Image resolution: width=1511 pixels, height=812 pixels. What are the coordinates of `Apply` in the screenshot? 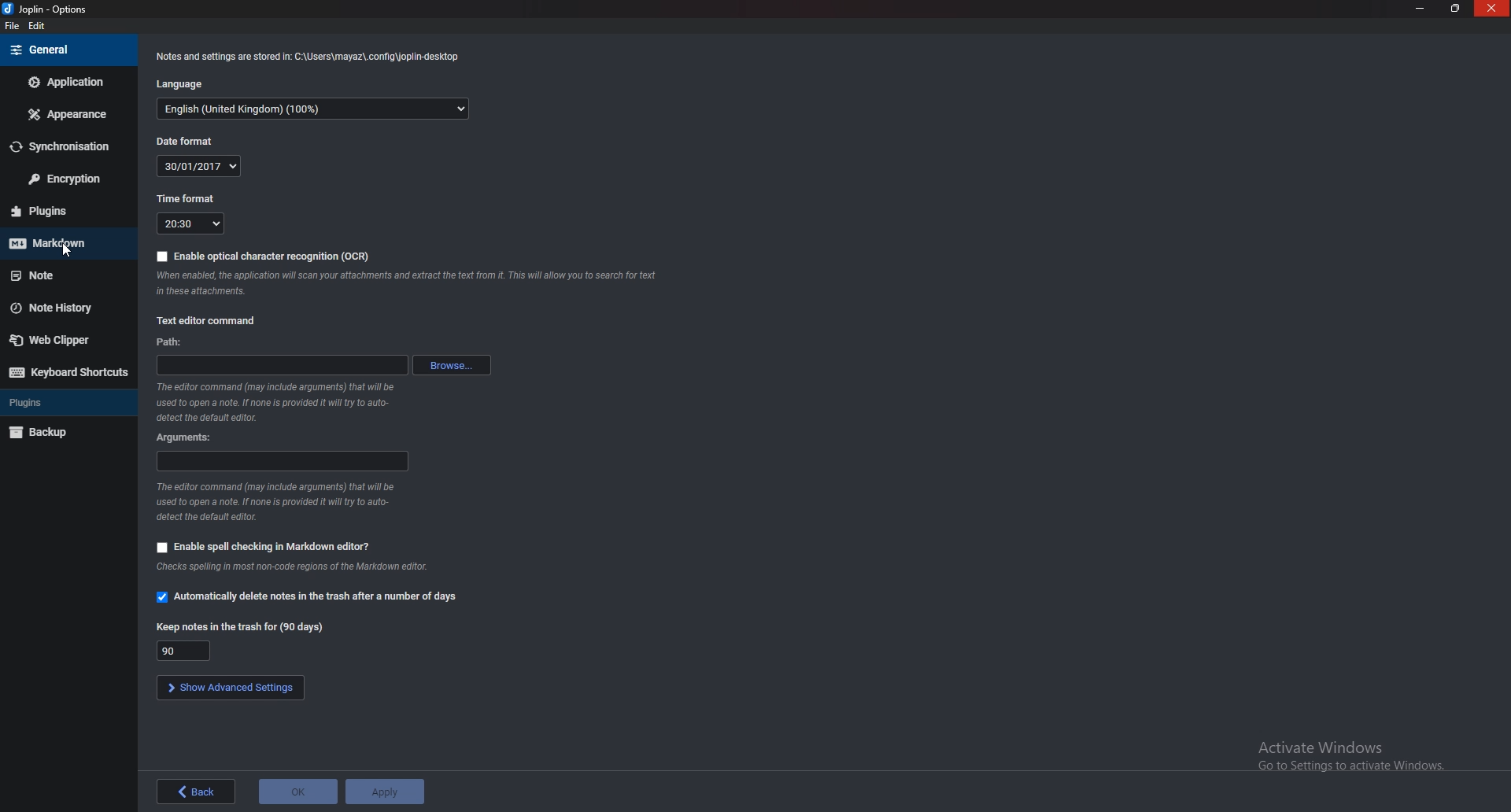 It's located at (384, 791).